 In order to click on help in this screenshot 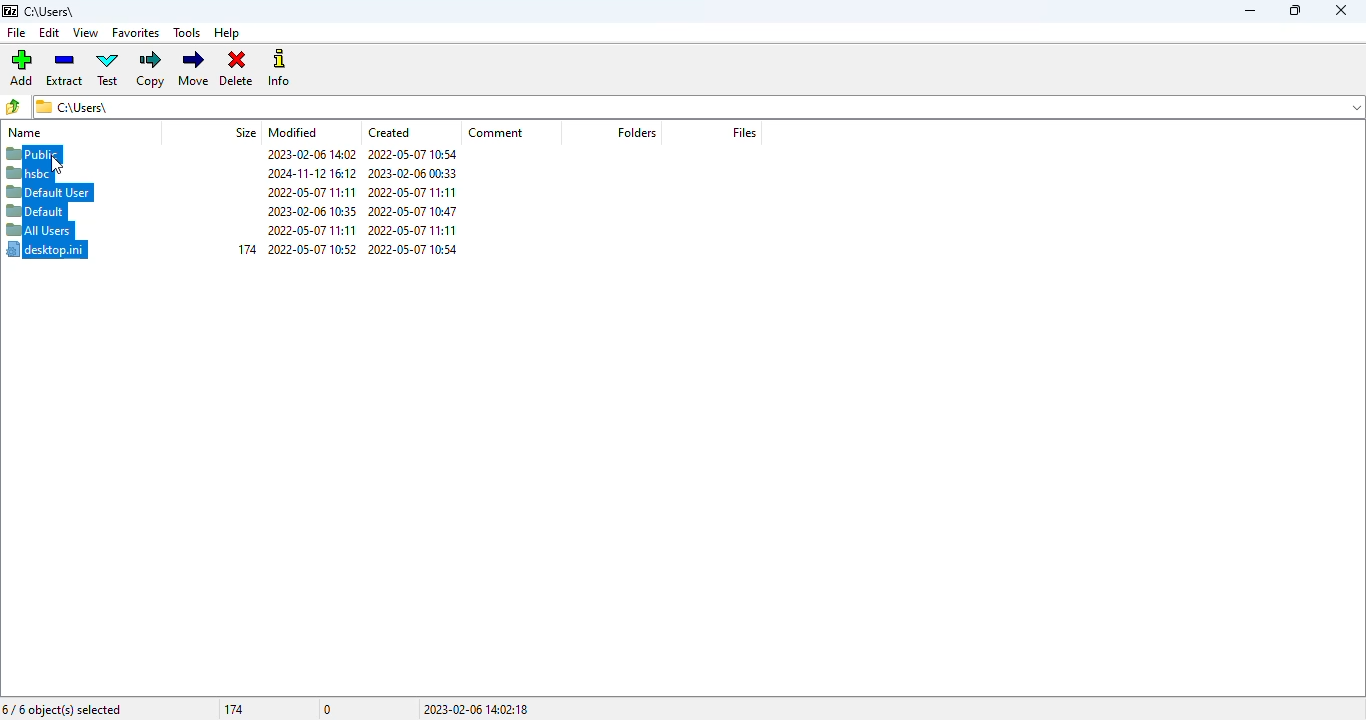, I will do `click(227, 33)`.